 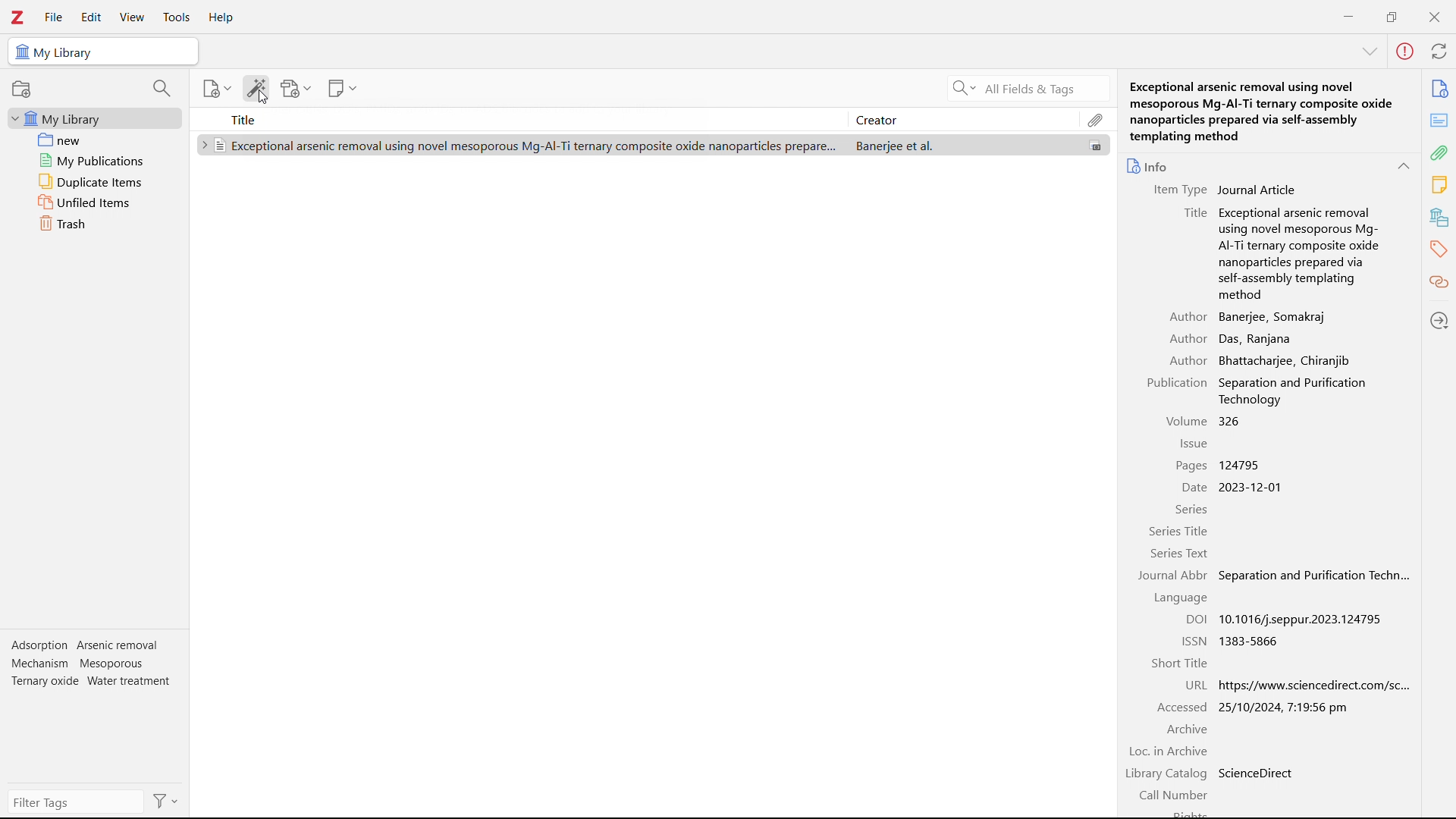 I want to click on add attachments, so click(x=296, y=88).